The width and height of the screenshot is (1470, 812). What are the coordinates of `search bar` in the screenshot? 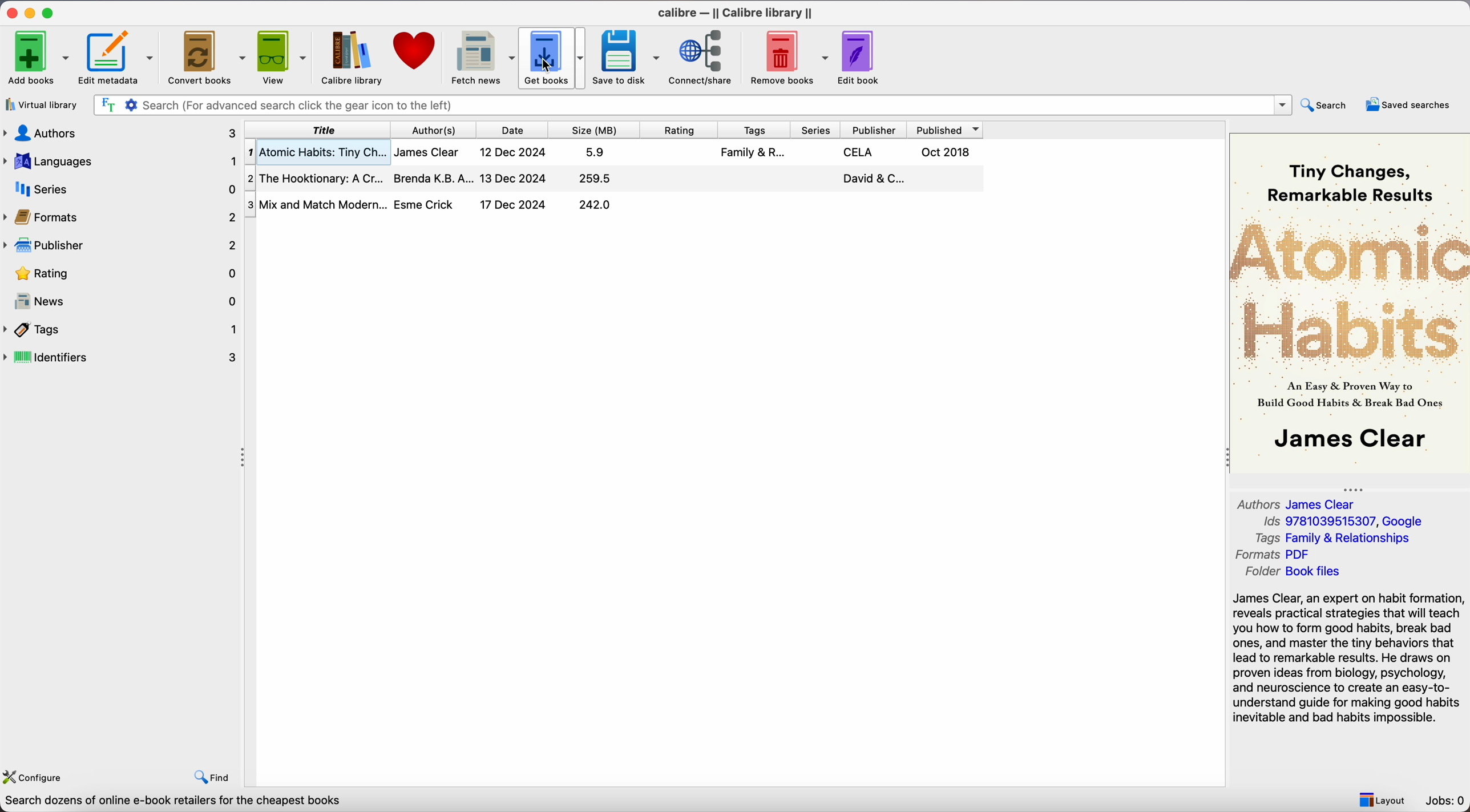 It's located at (693, 104).